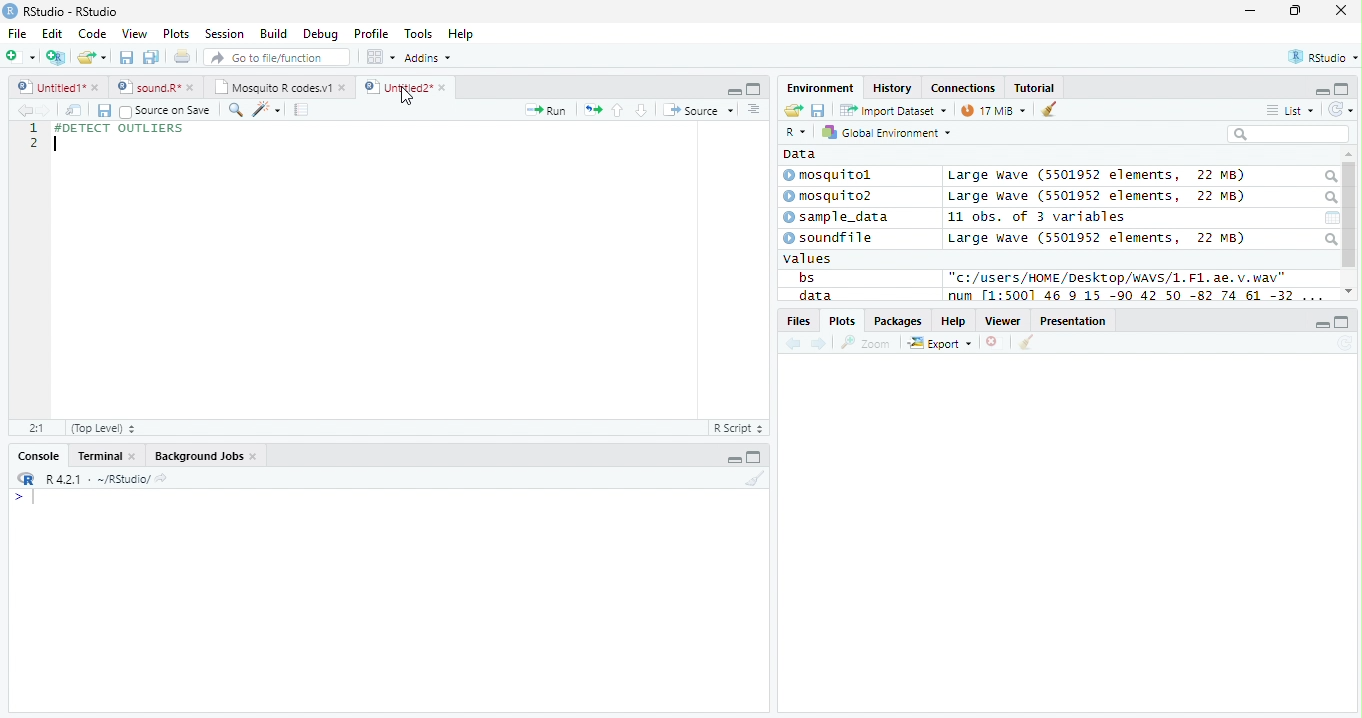  What do you see at coordinates (753, 479) in the screenshot?
I see `clear workspace` at bounding box center [753, 479].